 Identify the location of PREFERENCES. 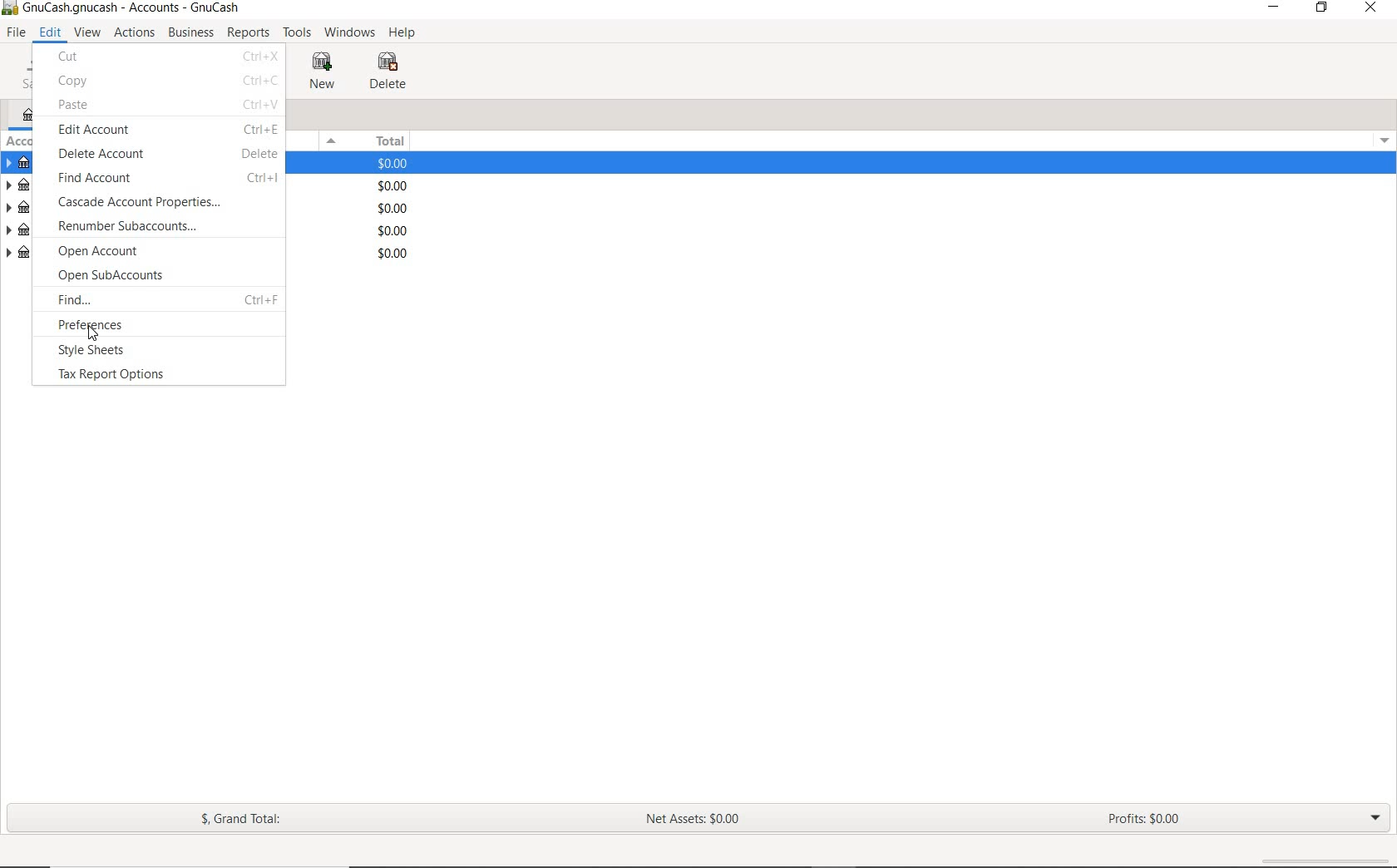
(101, 326).